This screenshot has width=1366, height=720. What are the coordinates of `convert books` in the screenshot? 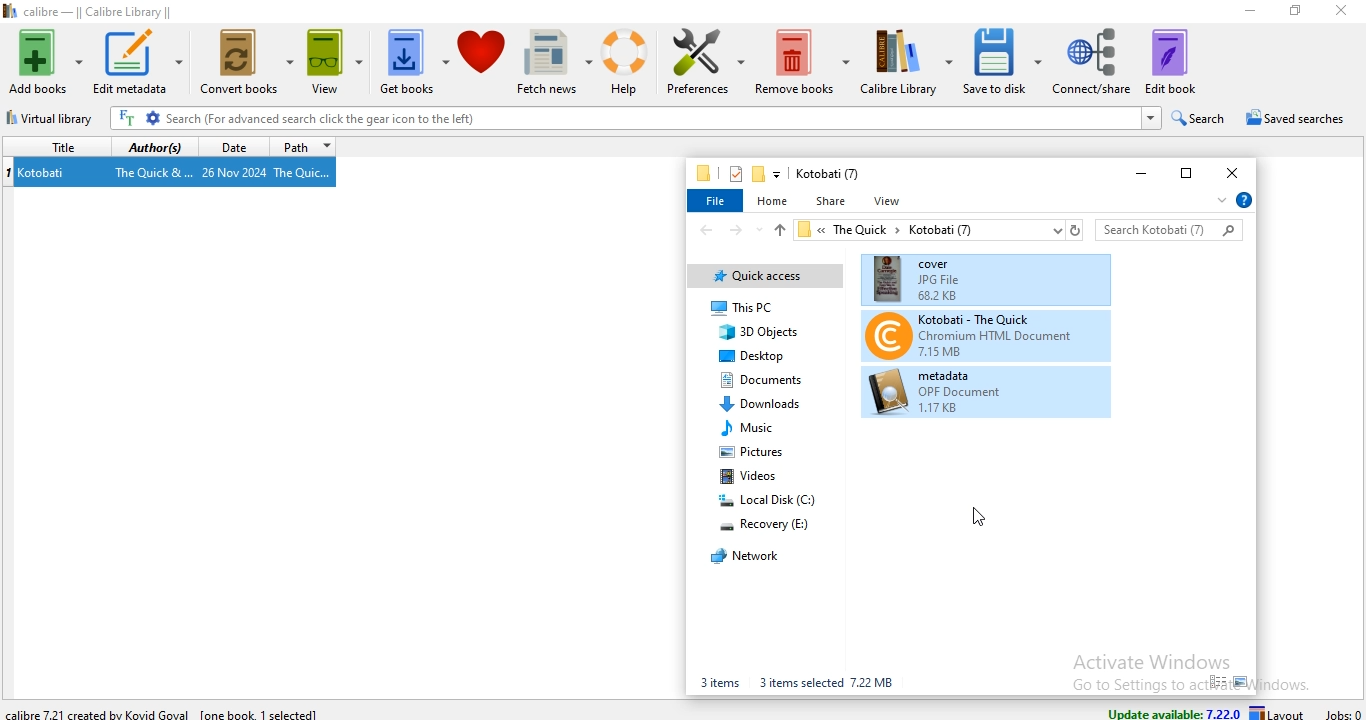 It's located at (245, 65).